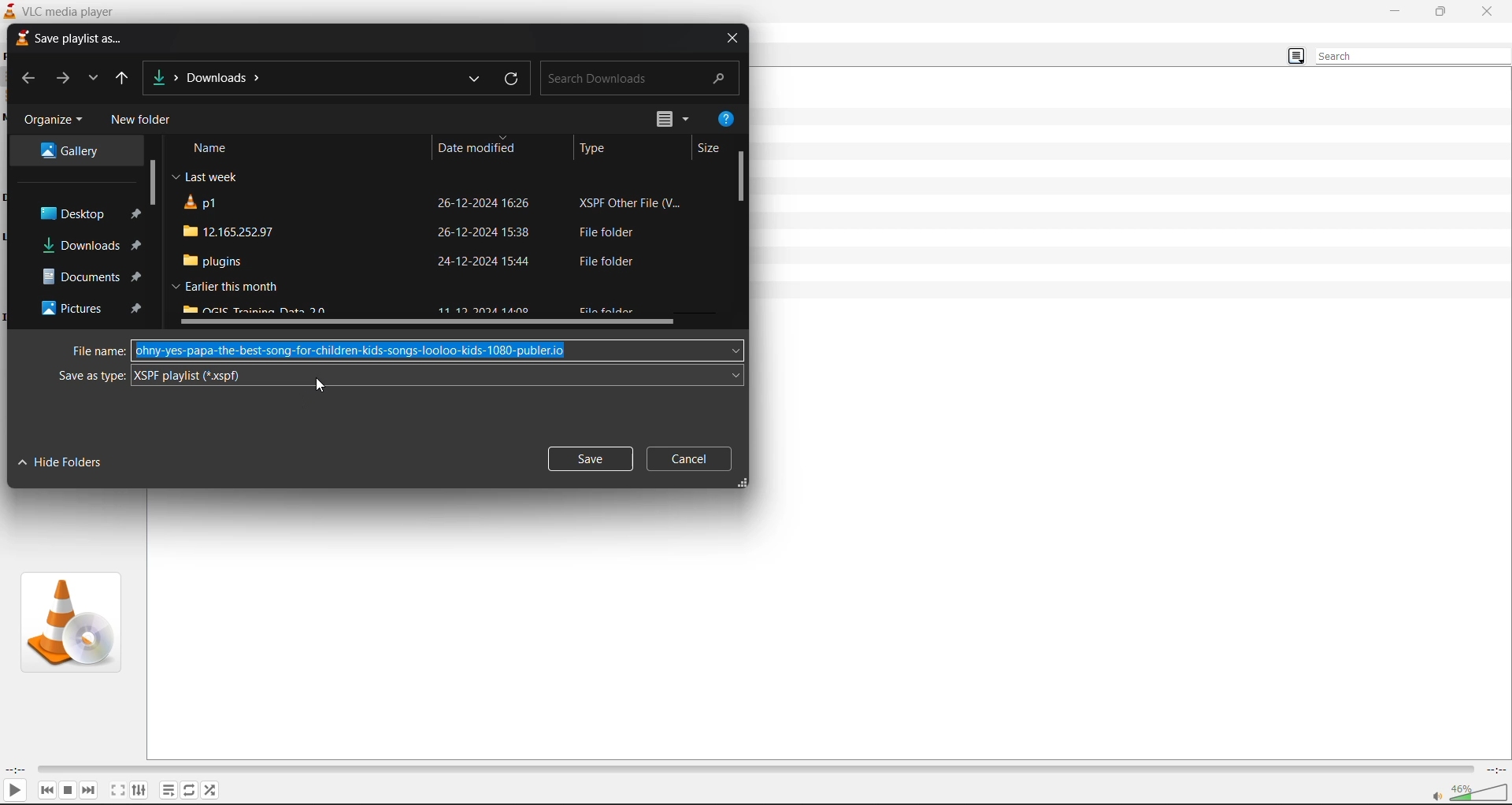 The height and width of the screenshot is (805, 1512). Describe the element at coordinates (66, 80) in the screenshot. I see `forward` at that location.